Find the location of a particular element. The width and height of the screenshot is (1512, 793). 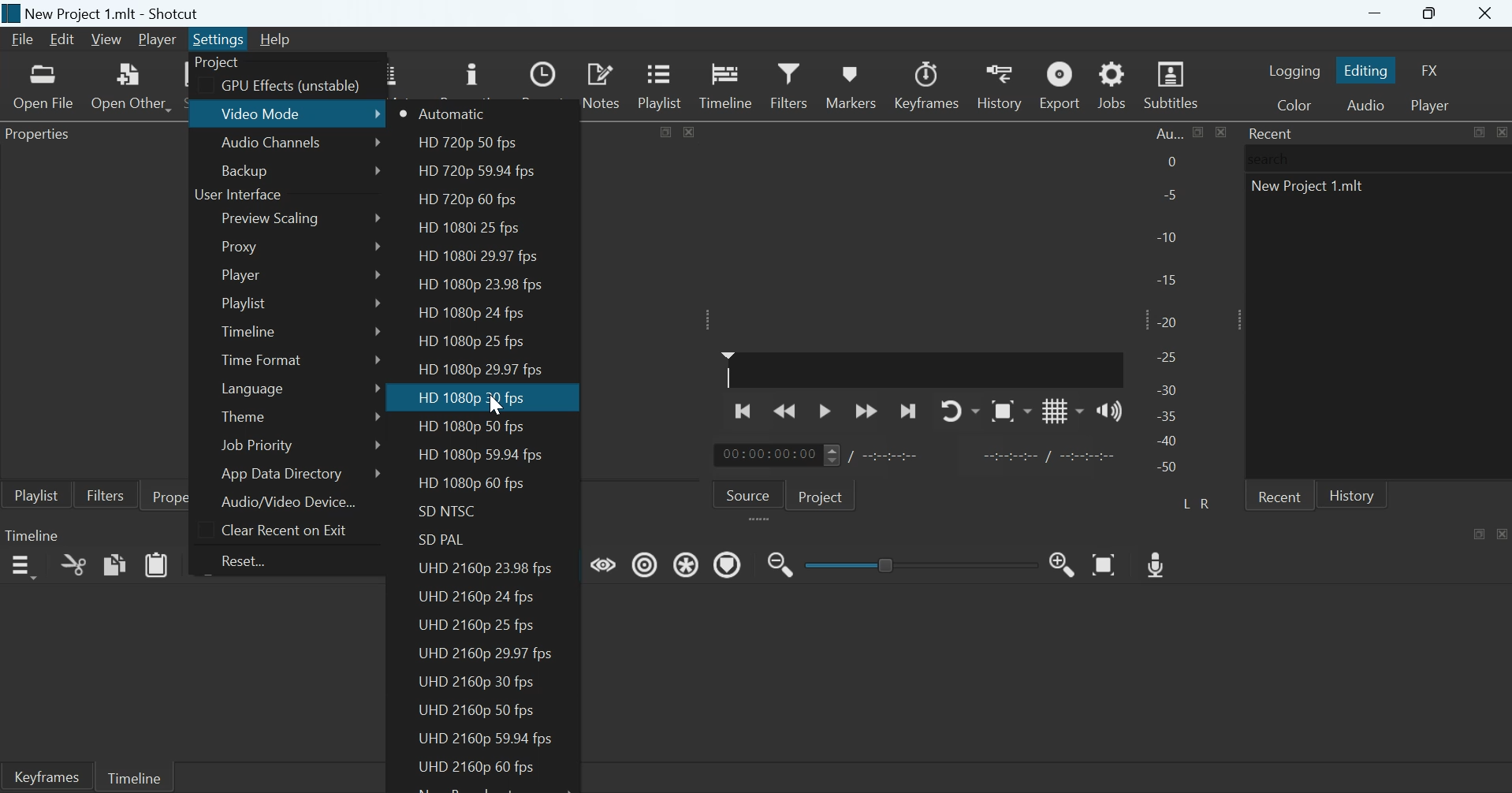

Toggle play or pause is located at coordinates (825, 411).